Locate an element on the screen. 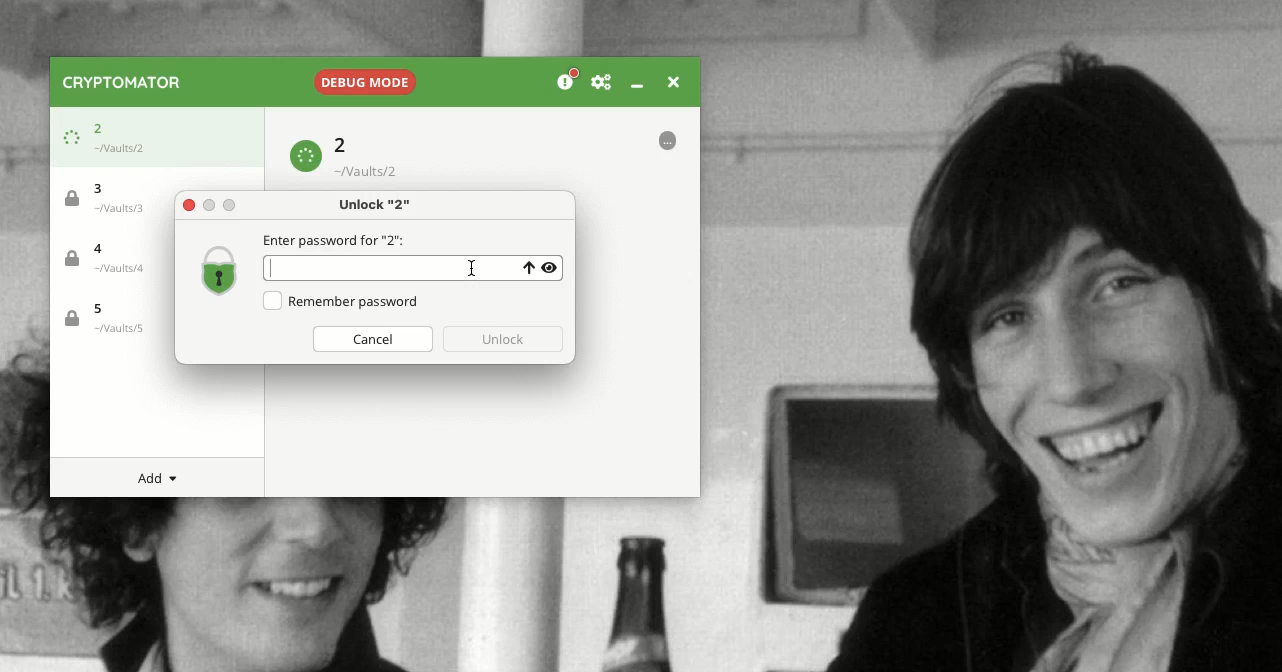 The image size is (1282, 672). Enter password for "2" is located at coordinates (337, 239).